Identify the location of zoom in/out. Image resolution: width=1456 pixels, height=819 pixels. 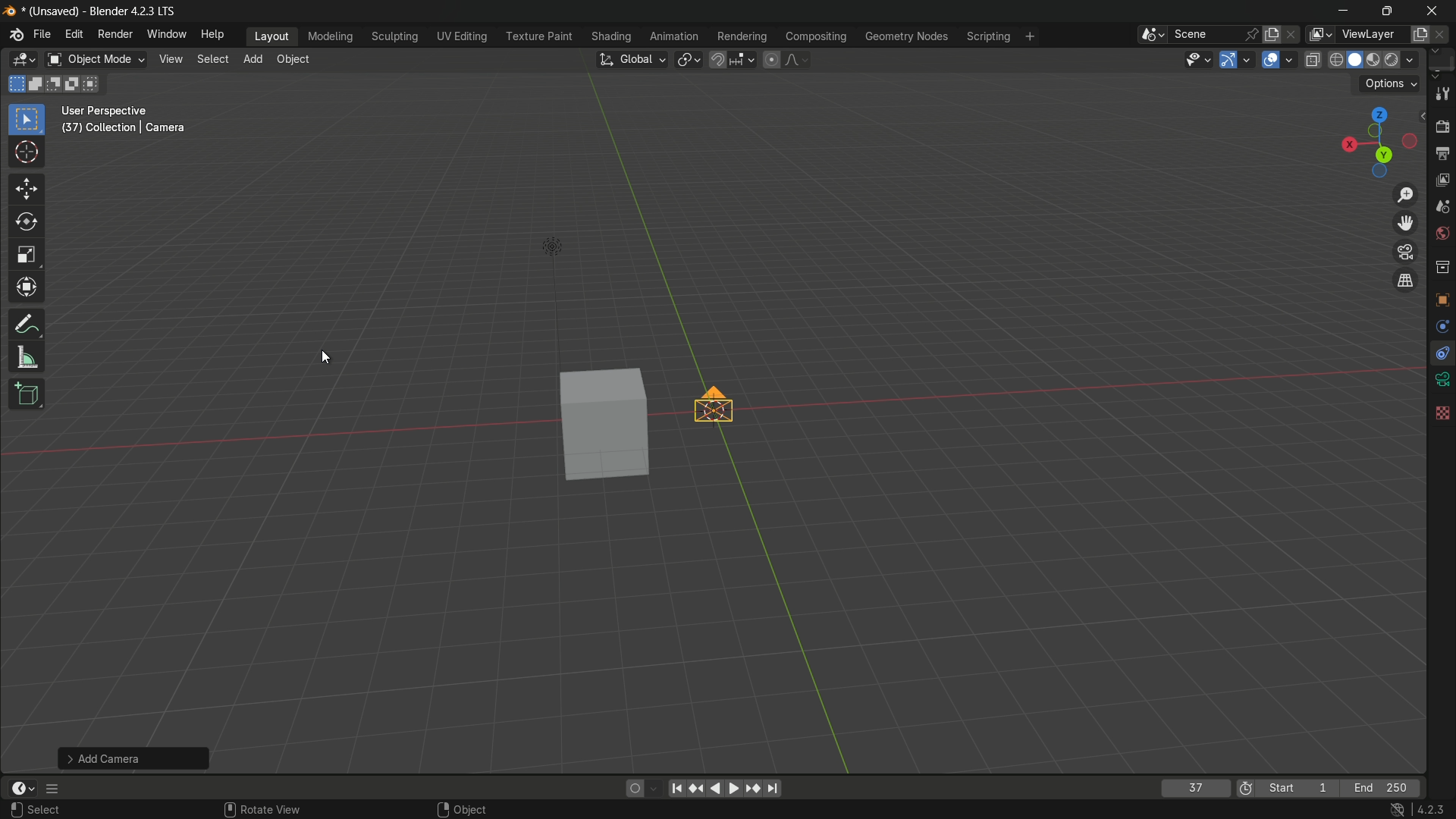
(1405, 193).